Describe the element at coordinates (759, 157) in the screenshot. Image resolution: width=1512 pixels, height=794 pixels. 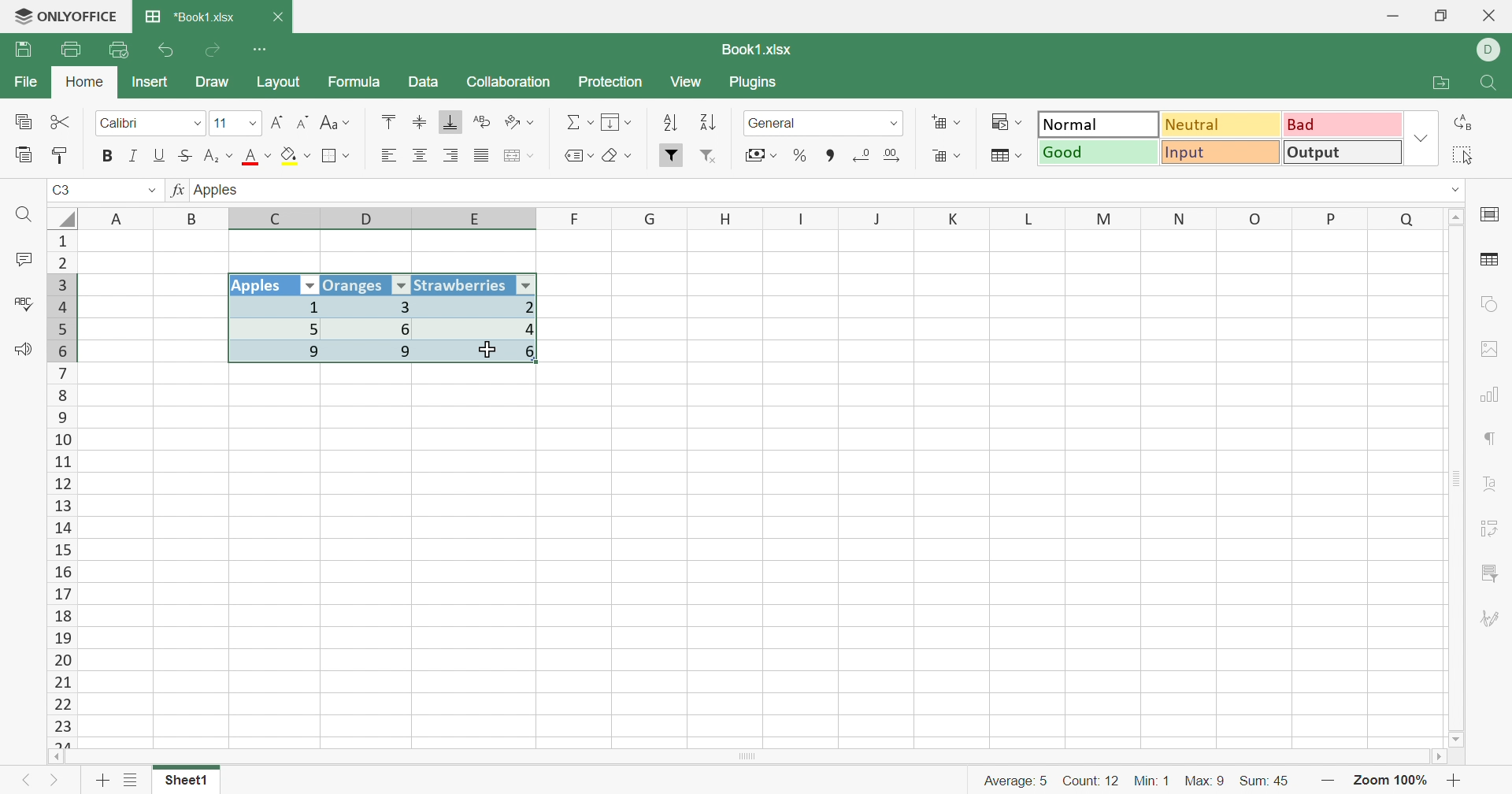
I see `Accounting style` at that location.